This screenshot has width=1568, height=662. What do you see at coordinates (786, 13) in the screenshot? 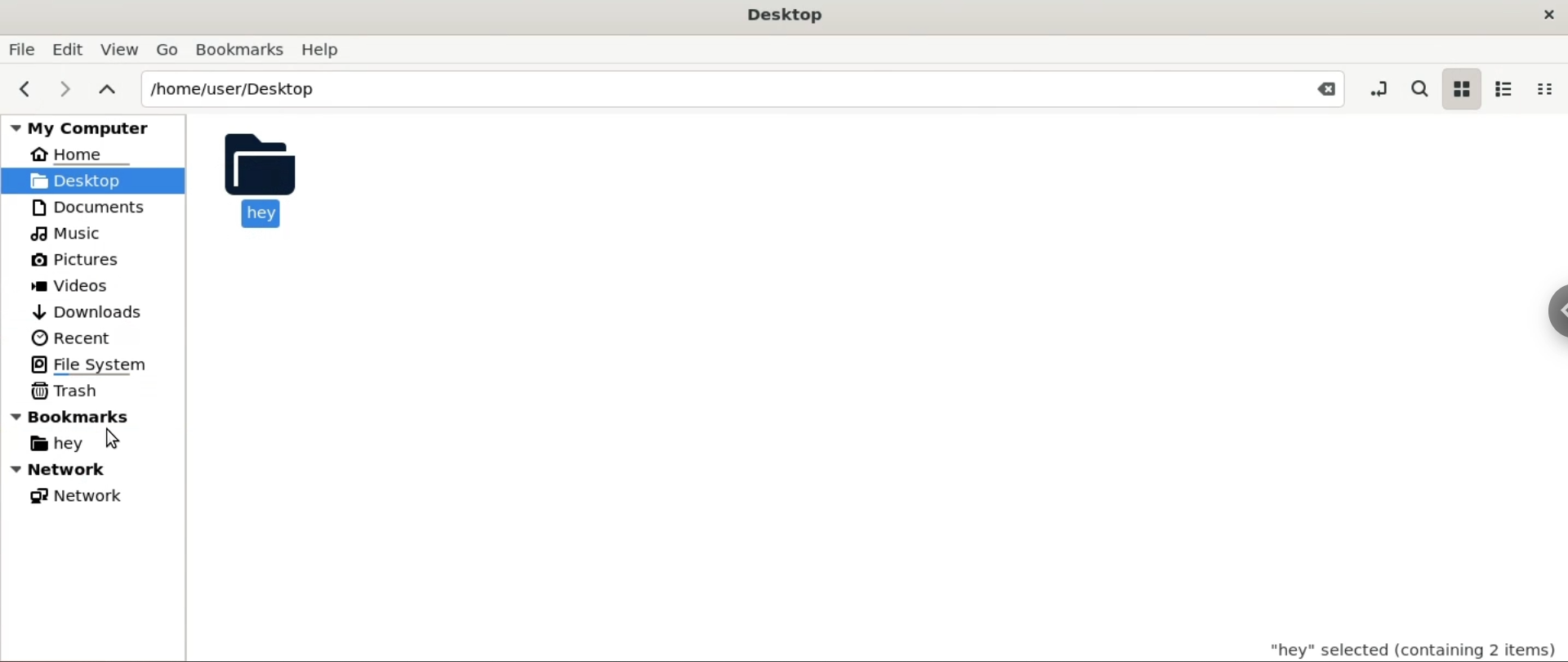
I see `Desktop` at bounding box center [786, 13].